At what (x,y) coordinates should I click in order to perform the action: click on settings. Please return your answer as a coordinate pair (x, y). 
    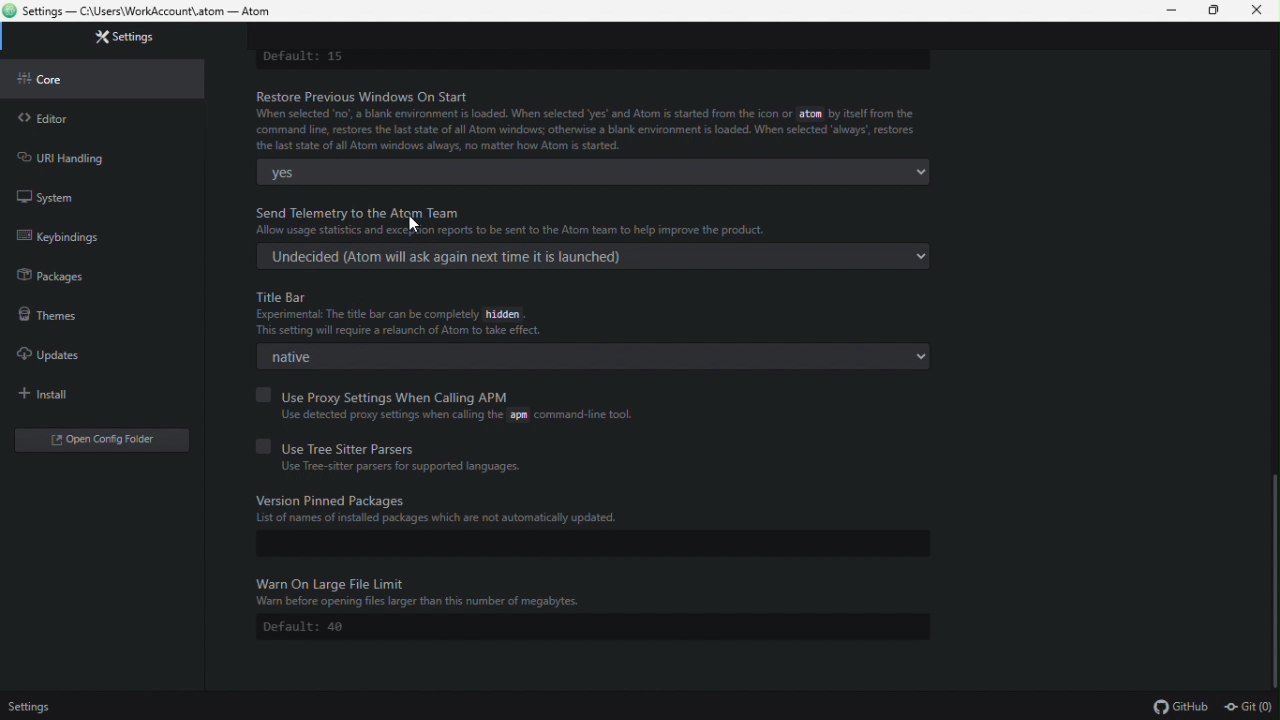
    Looking at the image, I should click on (30, 708).